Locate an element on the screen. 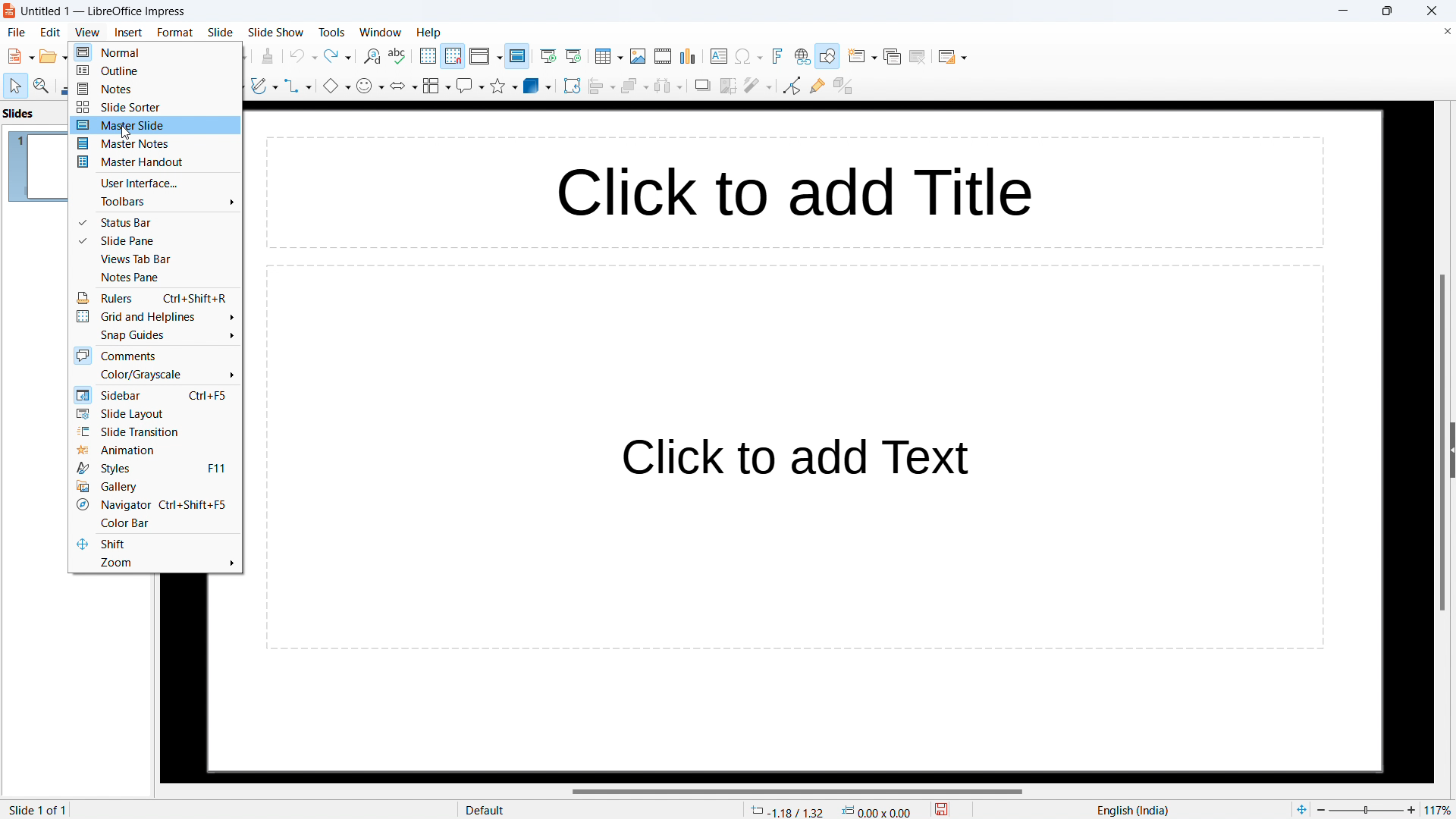 The width and height of the screenshot is (1456, 819). navigator is located at coordinates (155, 504).